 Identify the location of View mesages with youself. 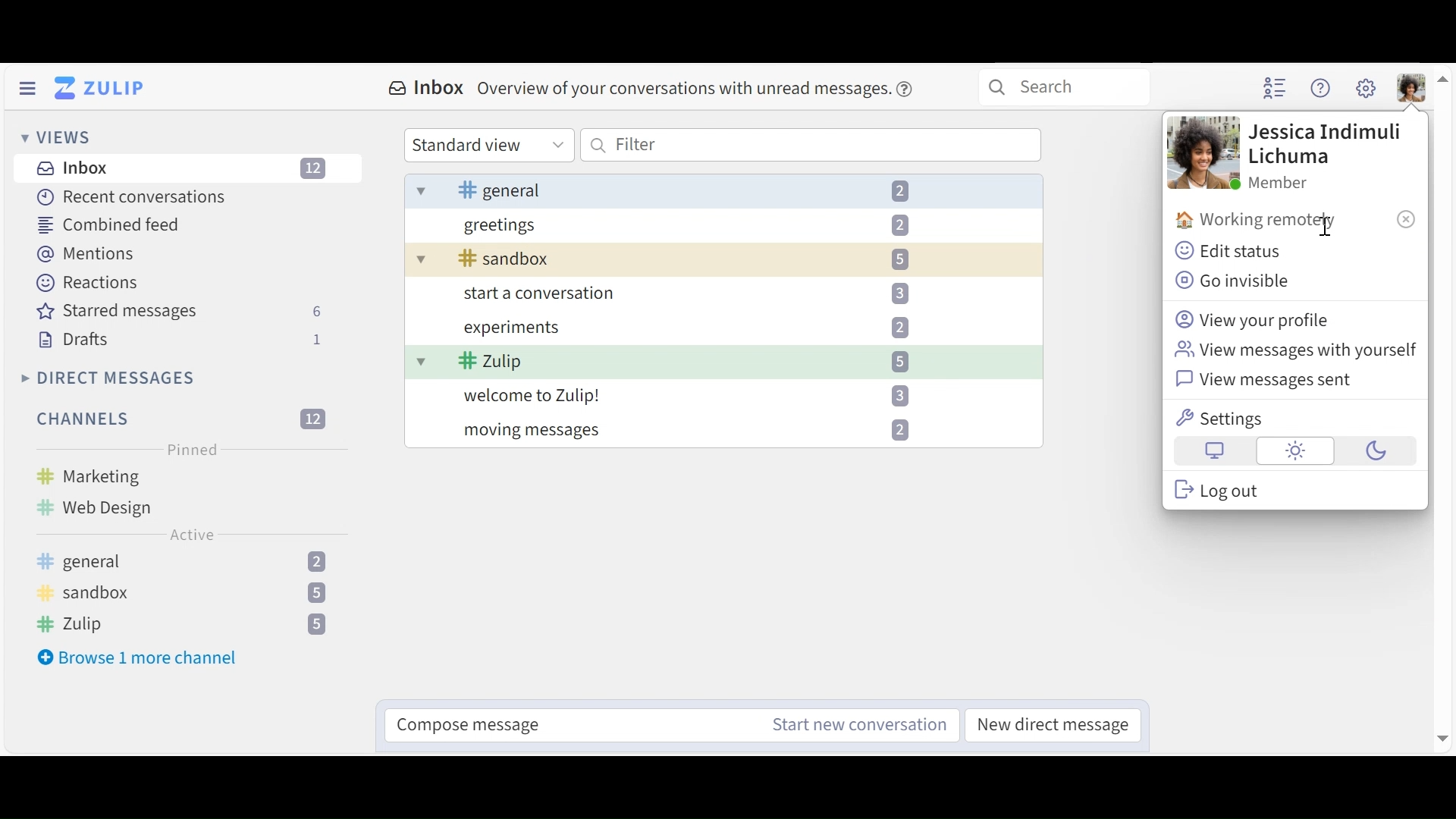
(1293, 353).